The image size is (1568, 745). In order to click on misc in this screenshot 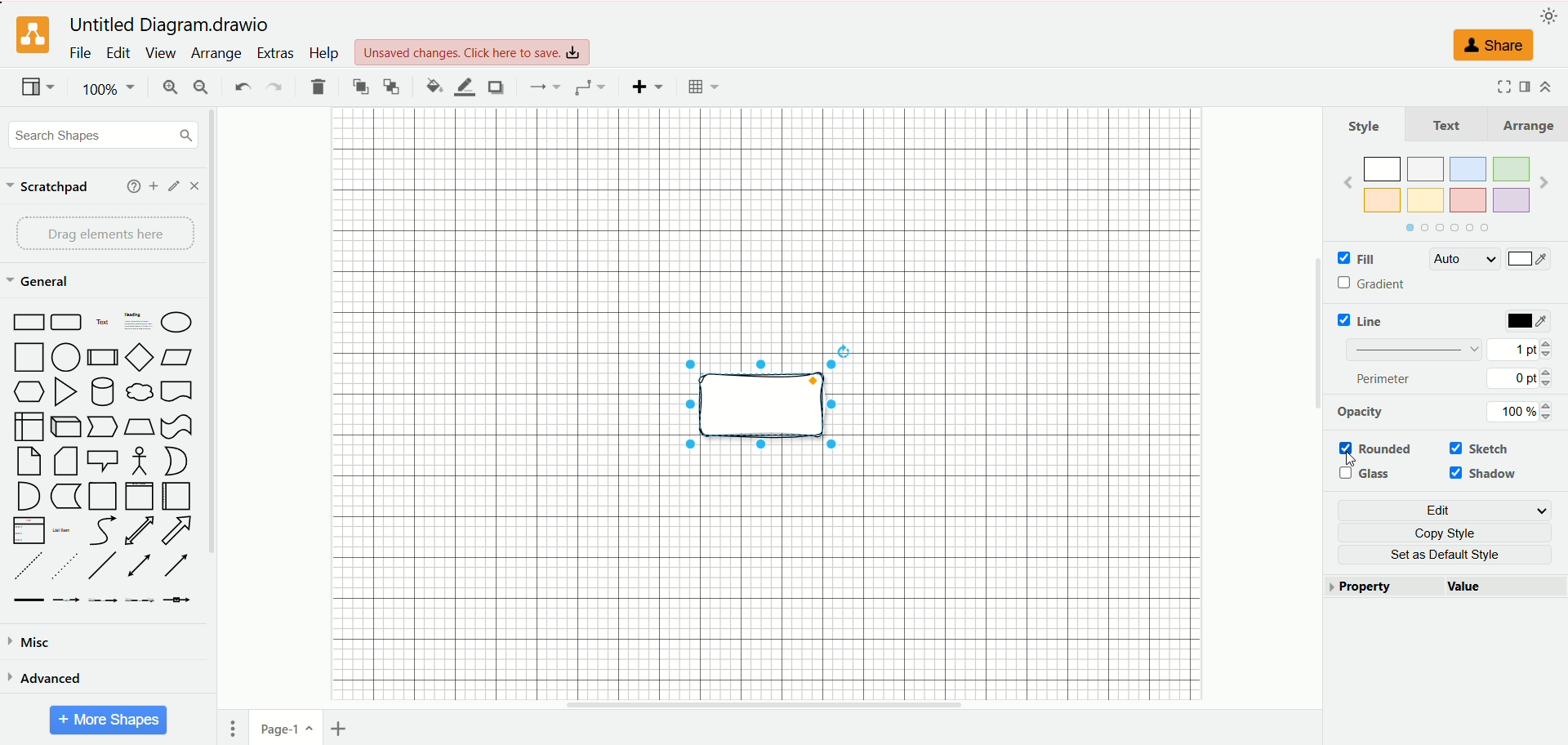, I will do `click(31, 643)`.